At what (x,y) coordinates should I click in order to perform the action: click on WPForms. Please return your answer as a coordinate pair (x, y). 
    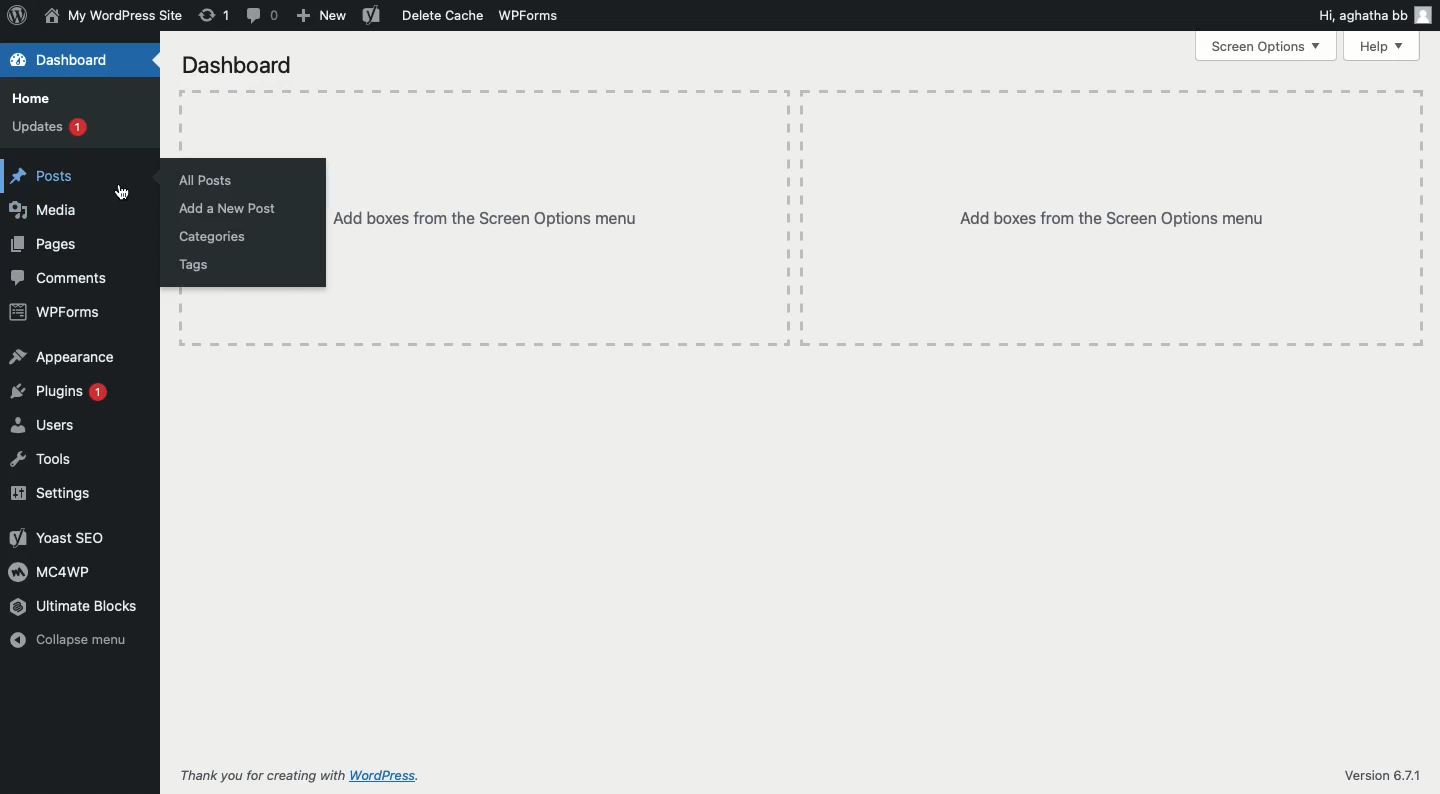
    Looking at the image, I should click on (532, 14).